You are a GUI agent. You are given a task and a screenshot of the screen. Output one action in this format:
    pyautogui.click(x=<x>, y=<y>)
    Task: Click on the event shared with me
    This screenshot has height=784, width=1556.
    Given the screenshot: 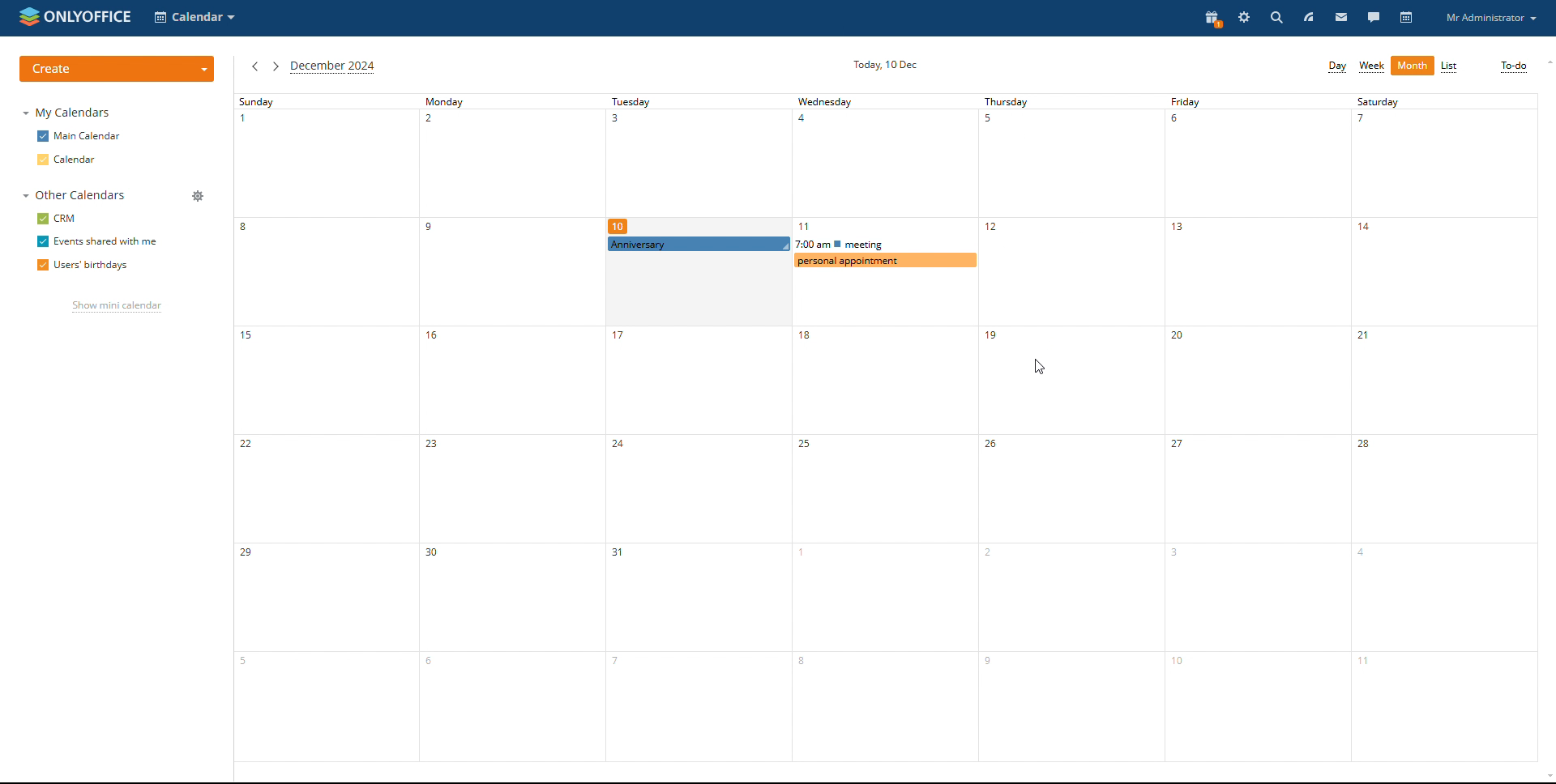 What is the action you would take?
    pyautogui.click(x=96, y=242)
    